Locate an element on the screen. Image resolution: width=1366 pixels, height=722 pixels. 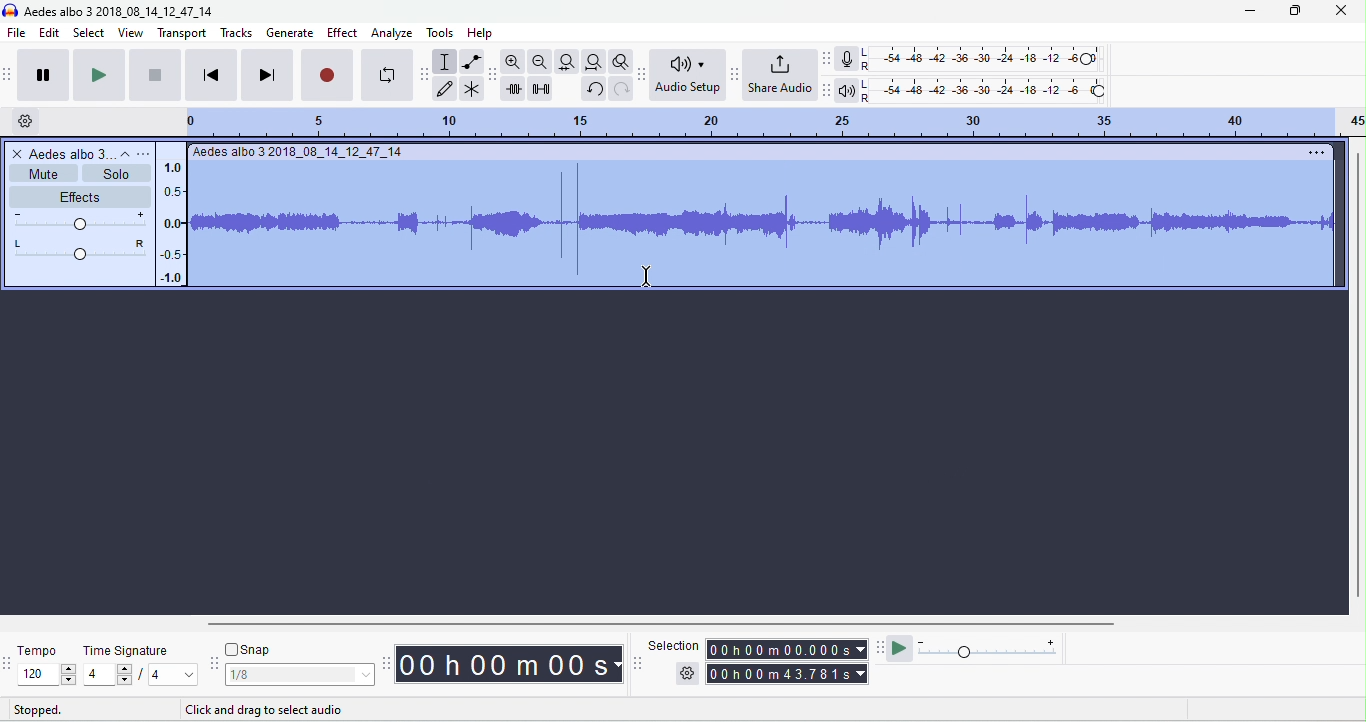
total time is located at coordinates (785, 674).